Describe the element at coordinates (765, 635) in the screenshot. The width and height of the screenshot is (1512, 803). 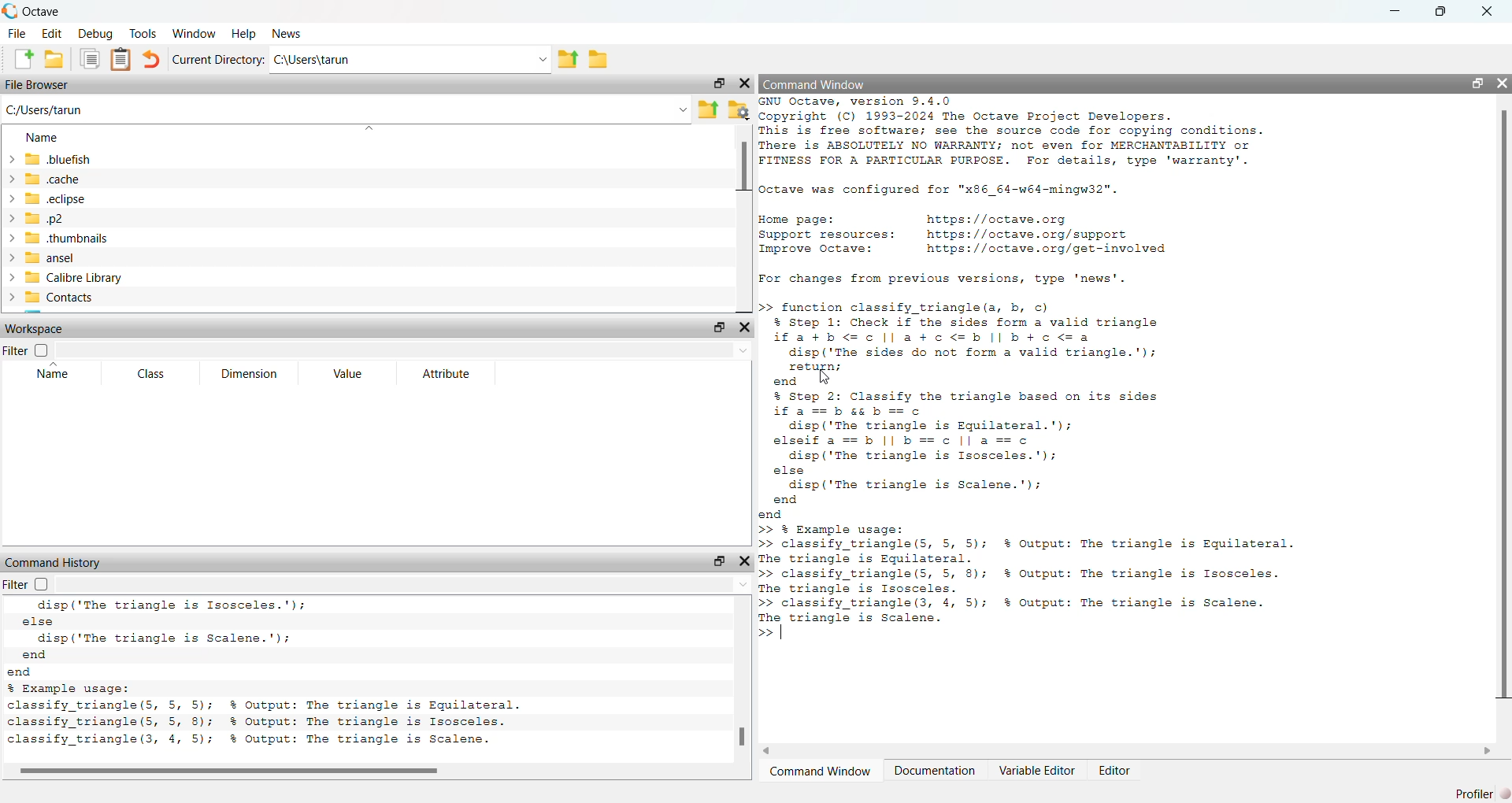
I see `prompt cursor` at that location.